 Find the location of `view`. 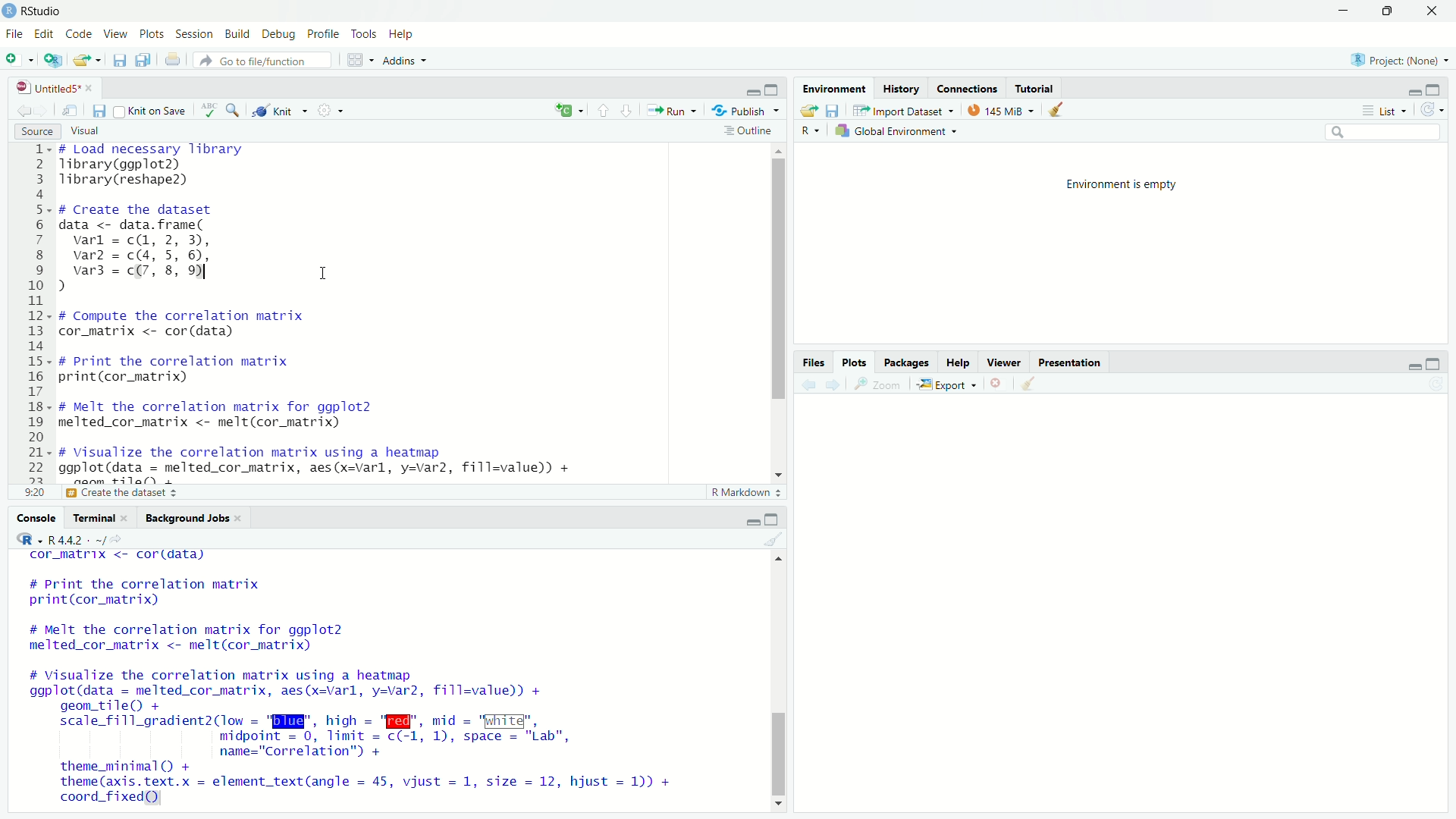

view is located at coordinates (116, 35).